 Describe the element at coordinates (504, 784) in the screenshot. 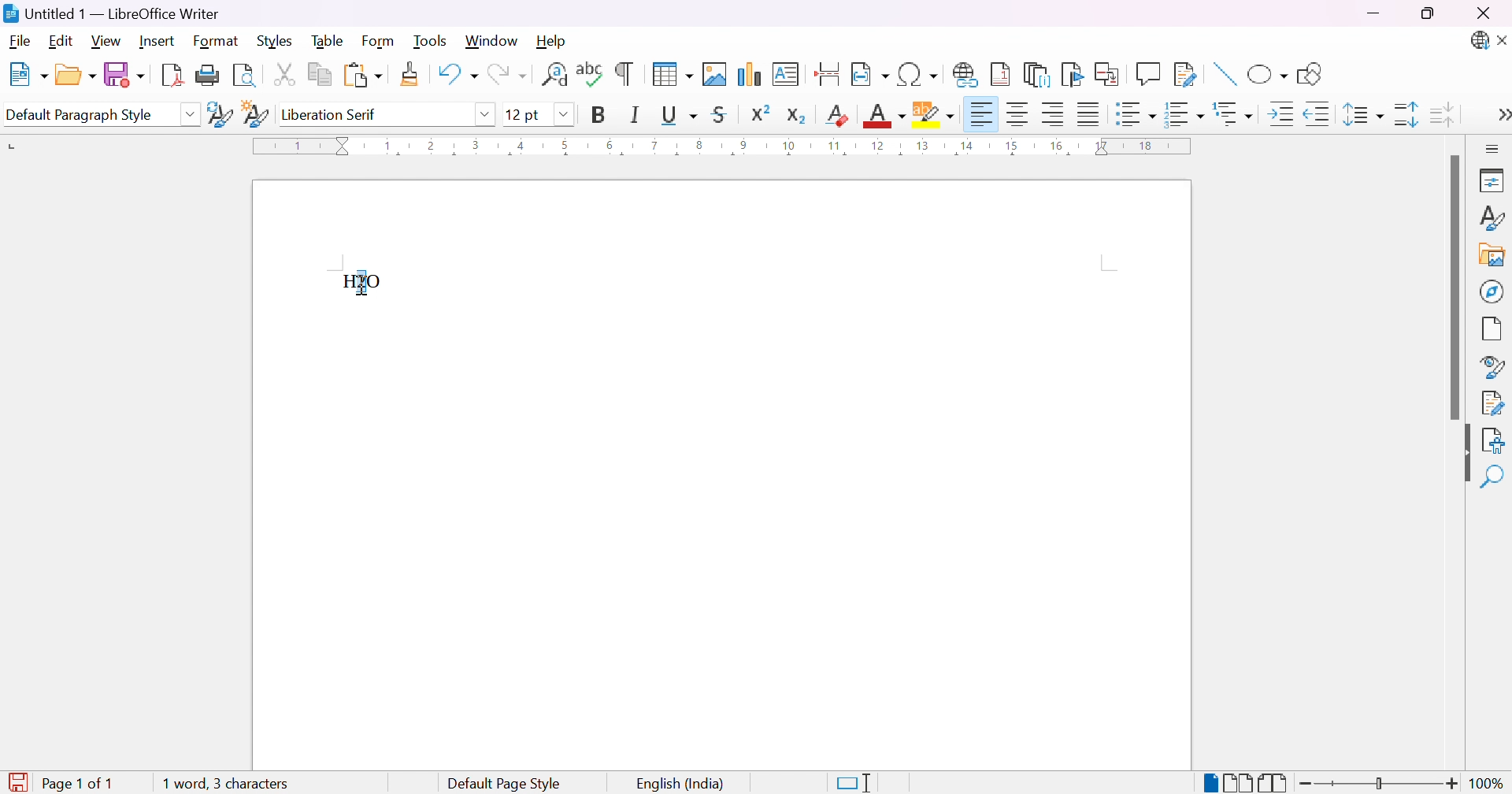

I see `Default page style` at that location.